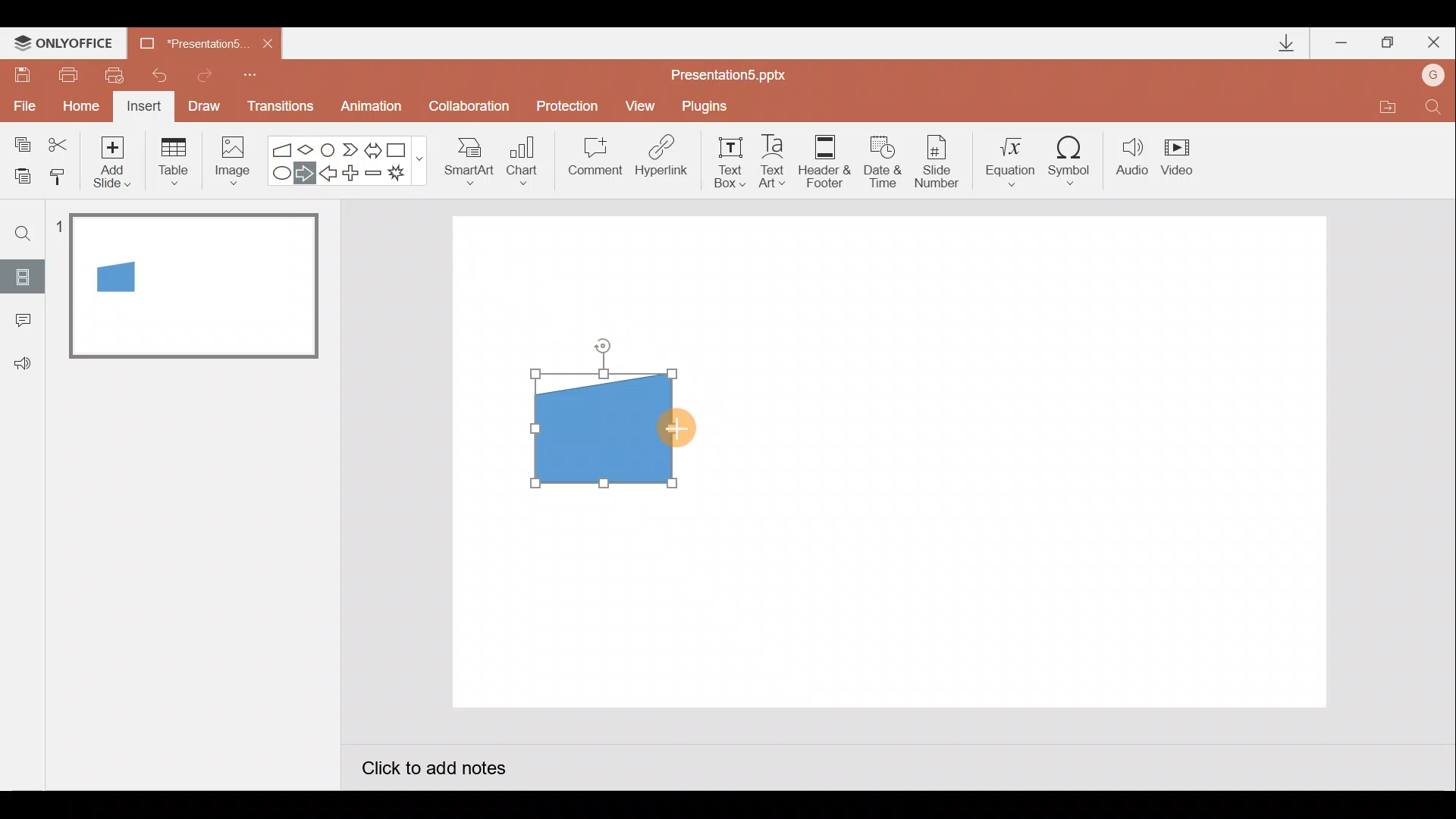  What do you see at coordinates (572, 105) in the screenshot?
I see `Protection` at bounding box center [572, 105].